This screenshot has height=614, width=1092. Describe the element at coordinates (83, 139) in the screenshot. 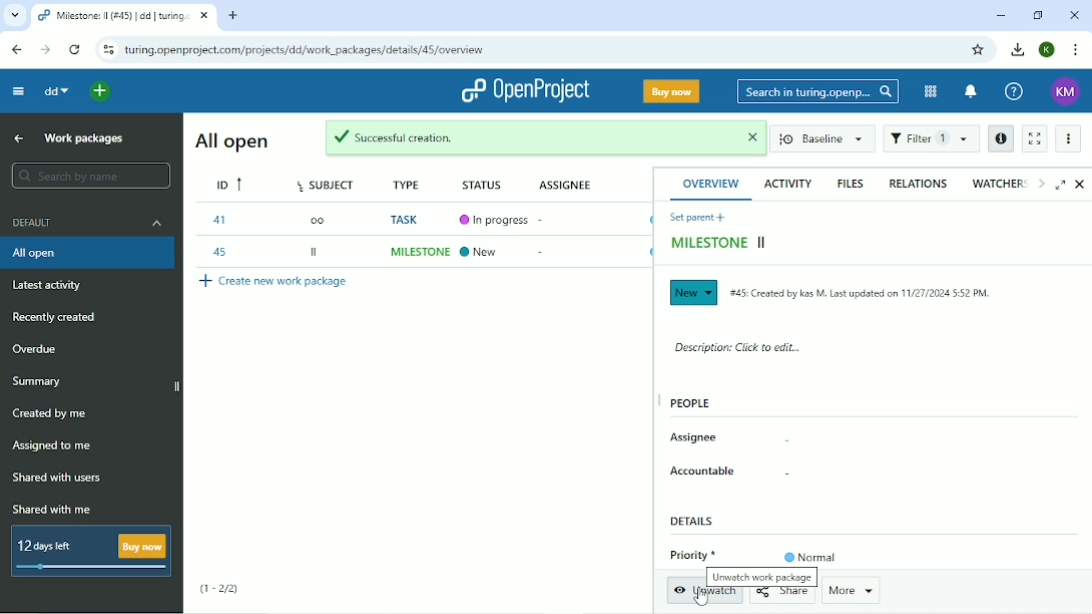

I see `Work packages` at that location.